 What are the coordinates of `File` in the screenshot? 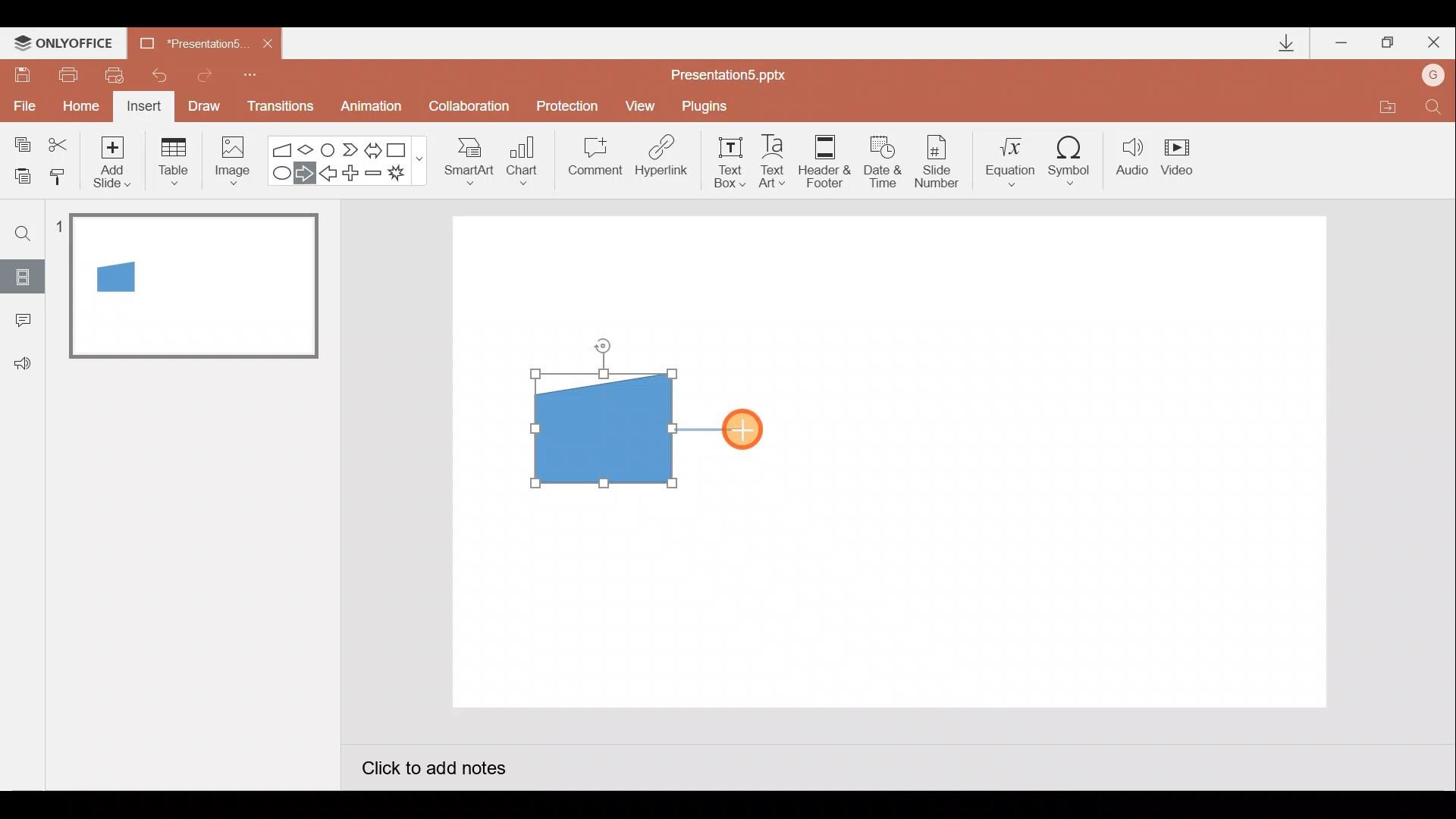 It's located at (21, 102).